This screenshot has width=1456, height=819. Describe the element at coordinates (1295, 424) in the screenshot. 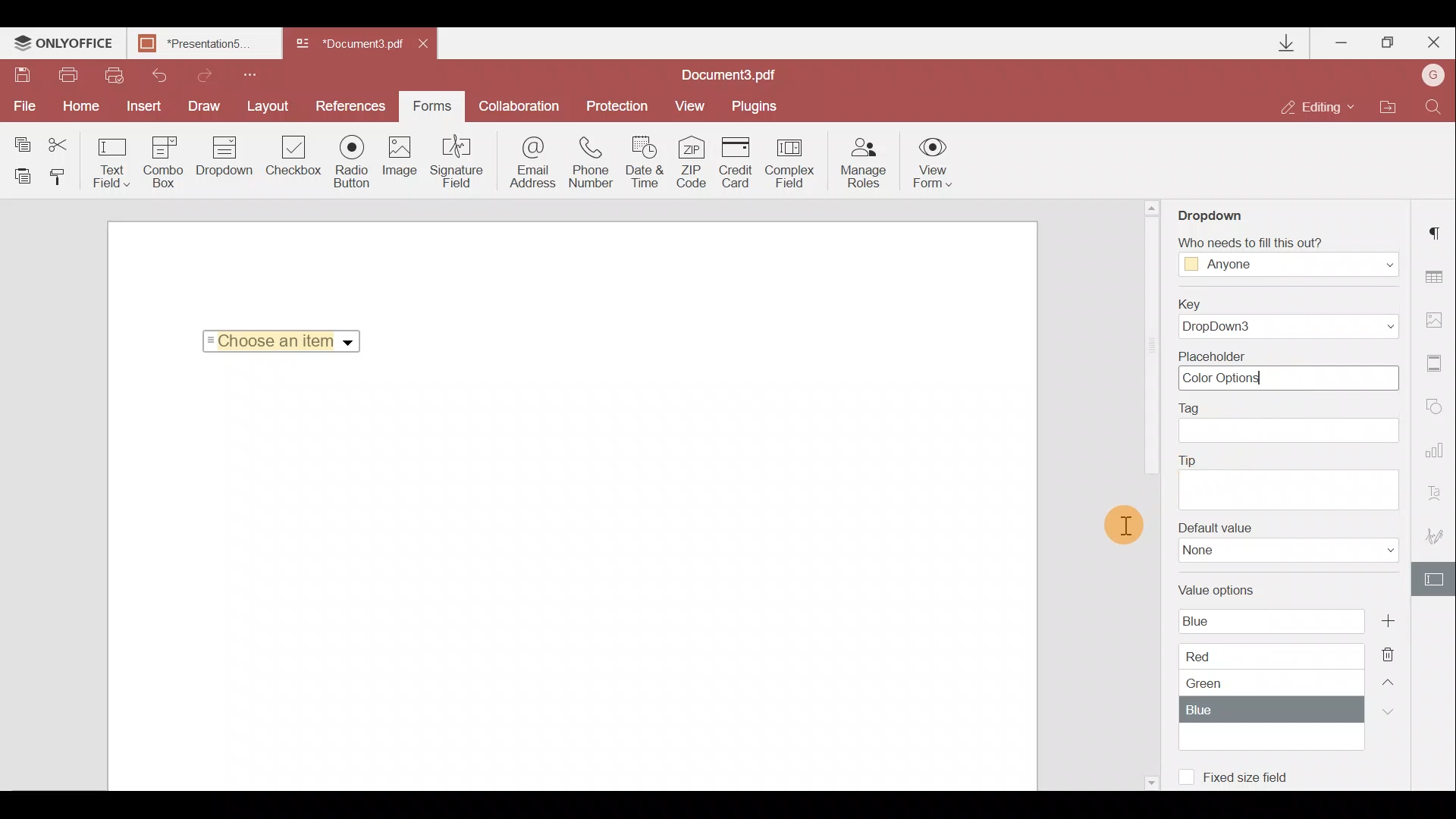

I see `Tag` at that location.